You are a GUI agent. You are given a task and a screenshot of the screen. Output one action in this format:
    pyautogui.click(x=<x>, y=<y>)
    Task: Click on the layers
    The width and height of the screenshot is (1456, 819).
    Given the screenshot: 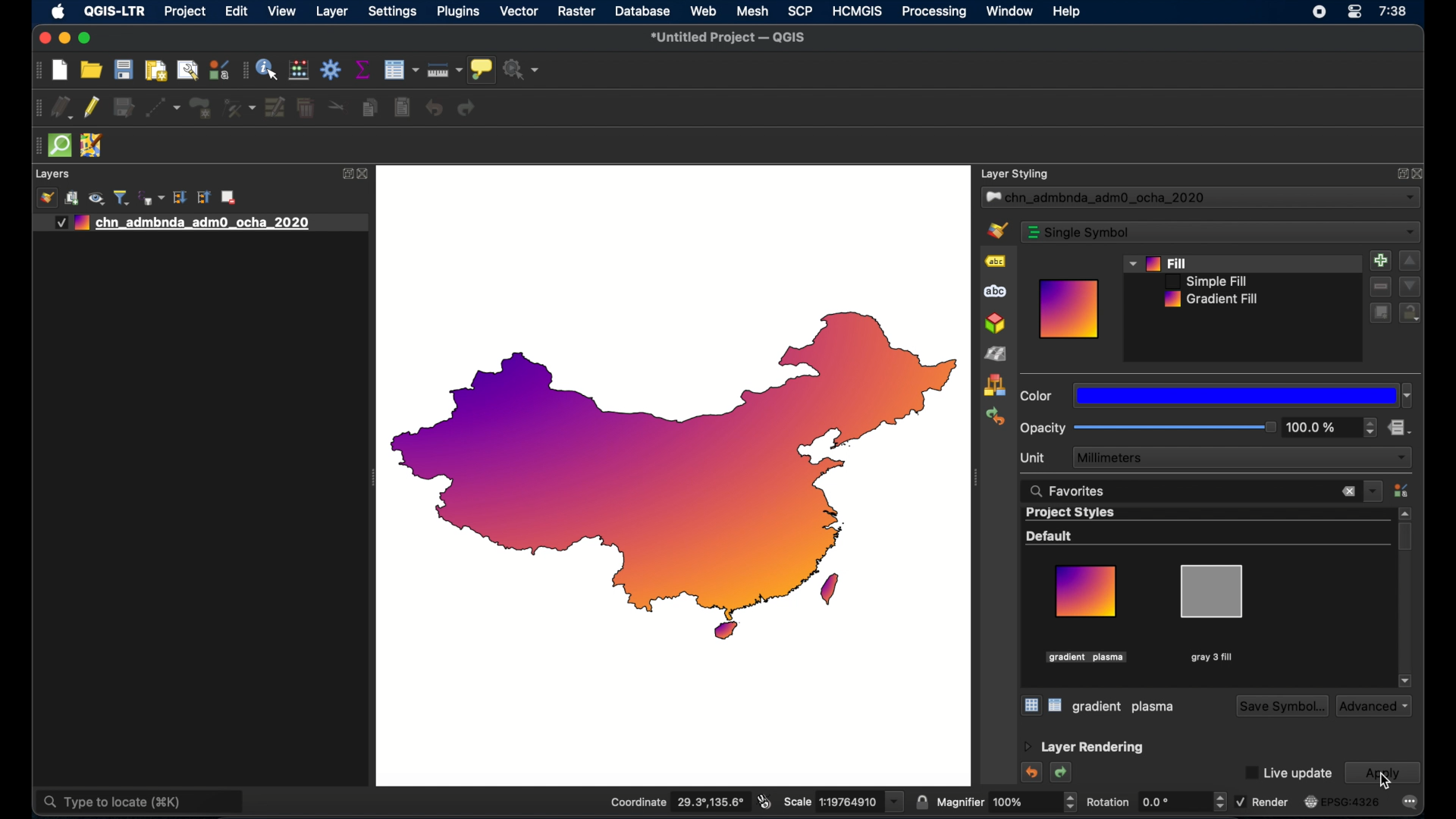 What is the action you would take?
    pyautogui.click(x=52, y=174)
    